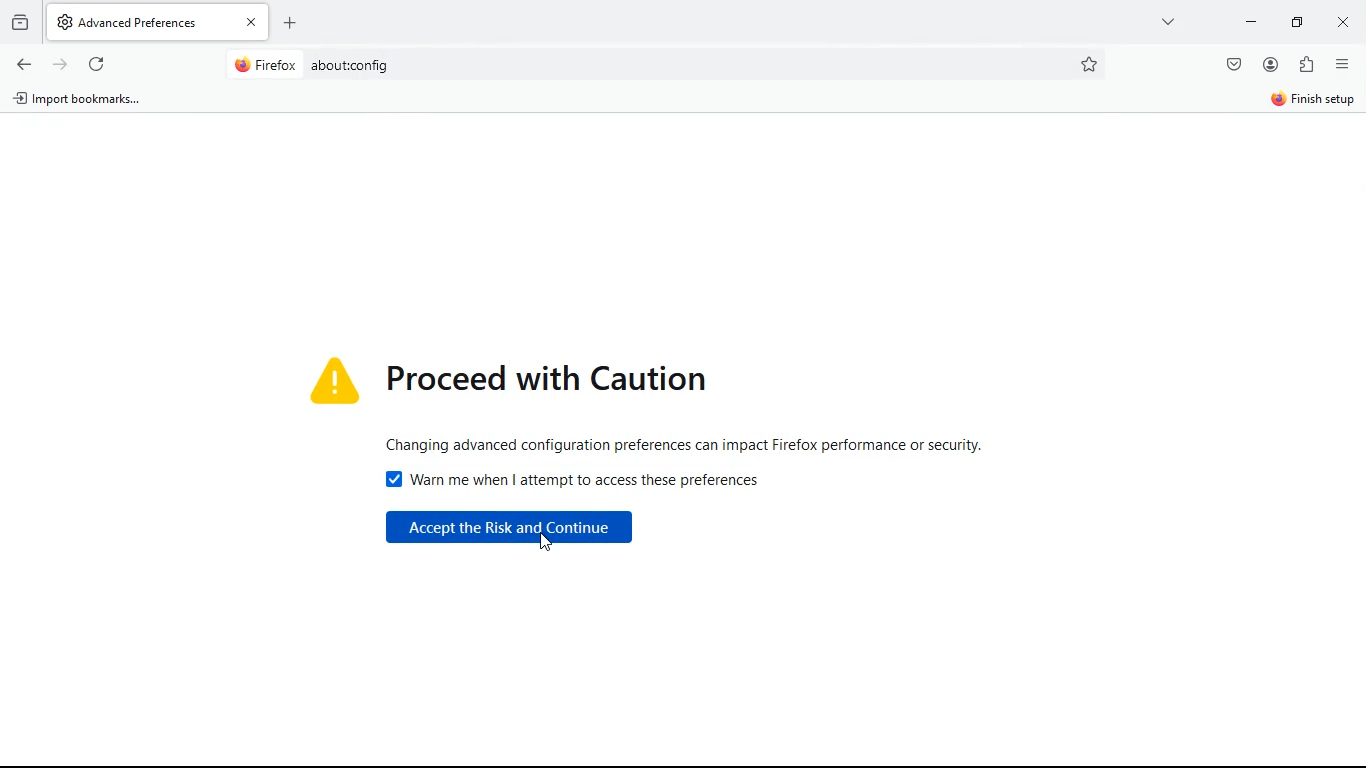 Image resolution: width=1366 pixels, height=768 pixels. What do you see at coordinates (62, 64) in the screenshot?
I see `forward` at bounding box center [62, 64].